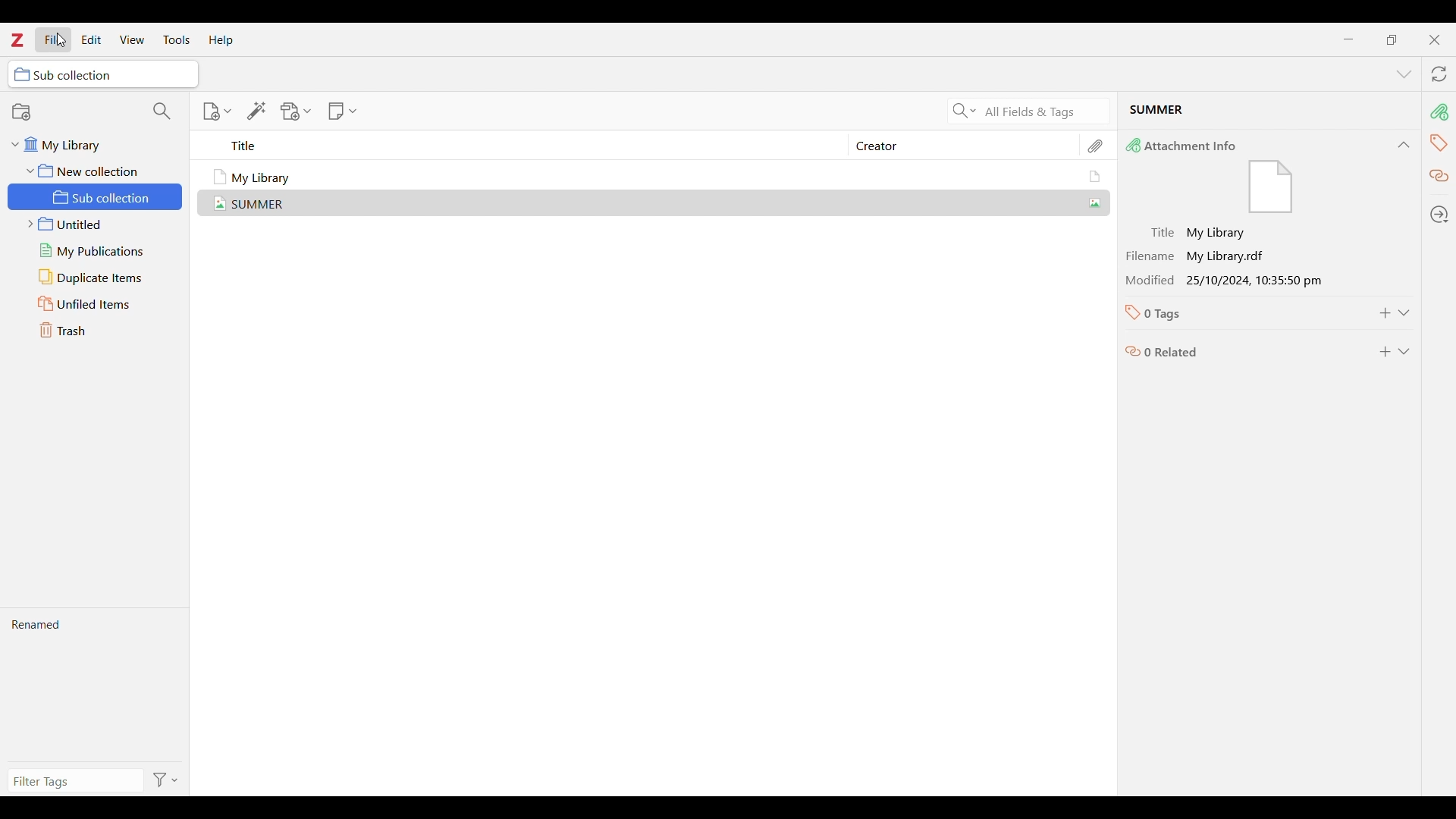 Image resolution: width=1456 pixels, height=819 pixels. What do you see at coordinates (132, 39) in the screenshot?
I see `View menu` at bounding box center [132, 39].